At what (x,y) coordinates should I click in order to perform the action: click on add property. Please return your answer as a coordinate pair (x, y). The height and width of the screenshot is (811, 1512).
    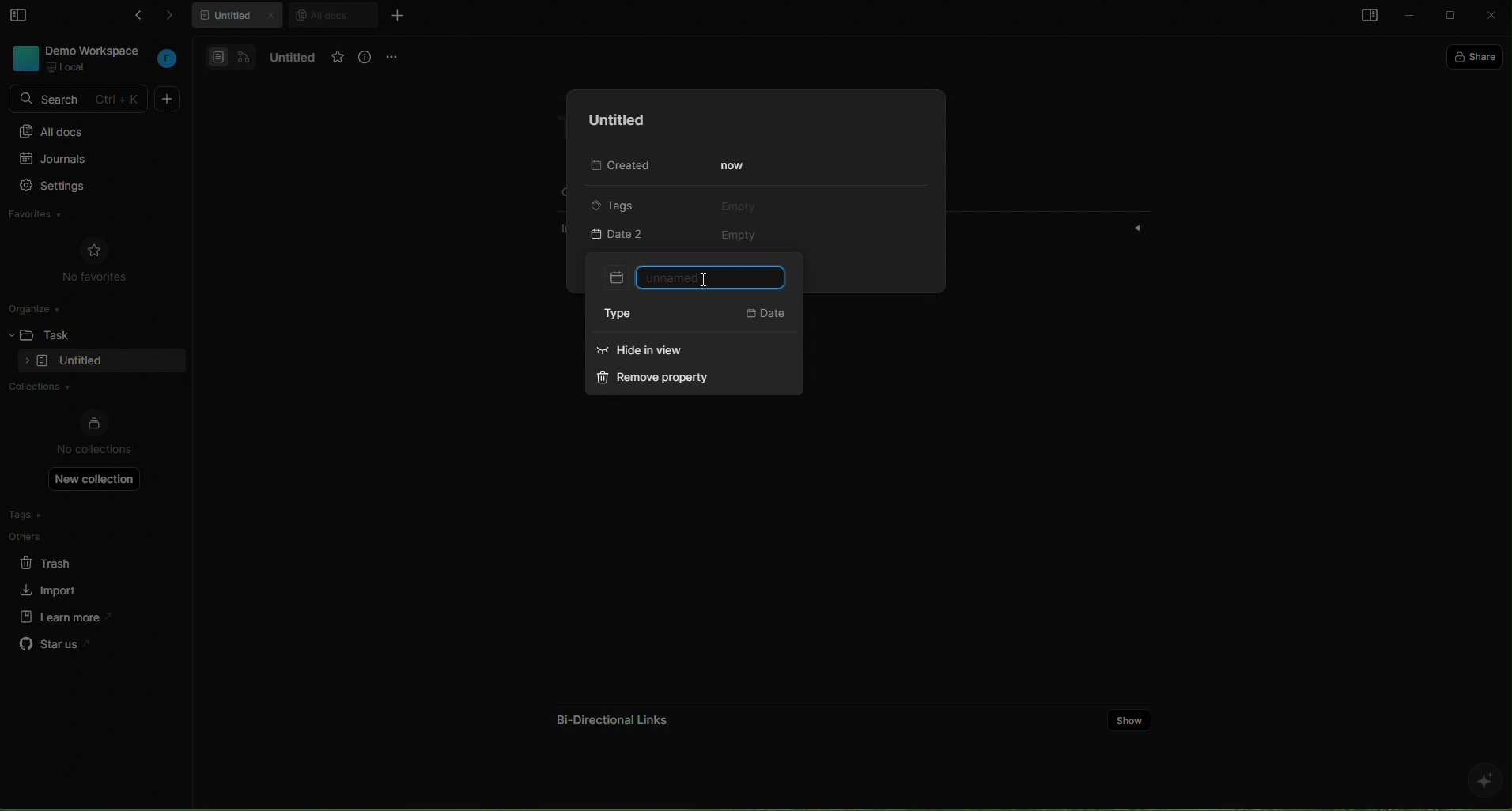
    Looking at the image, I should click on (637, 236).